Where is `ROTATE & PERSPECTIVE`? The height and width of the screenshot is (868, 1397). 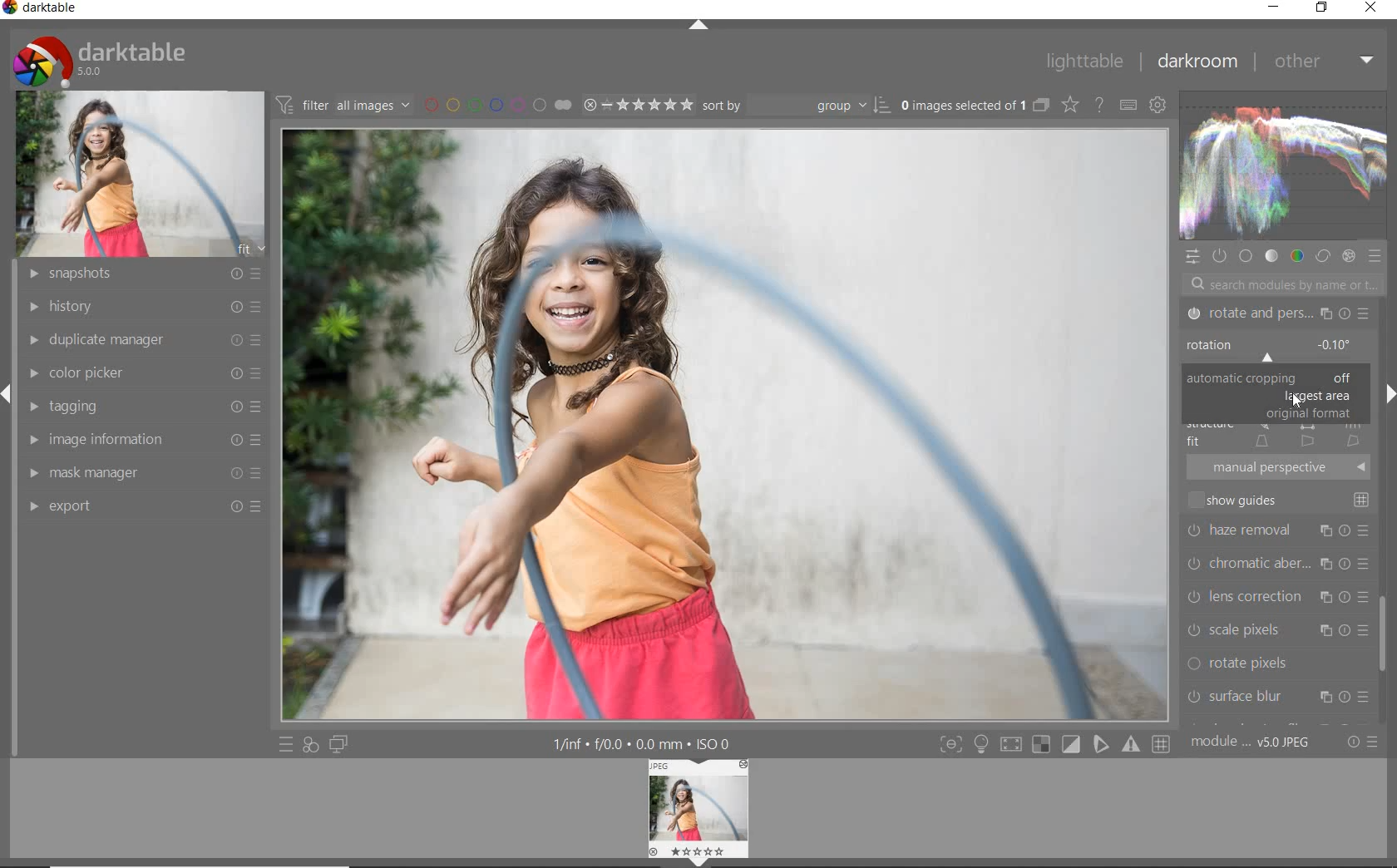
ROTATE & PERSPECTIVE is located at coordinates (1276, 314).